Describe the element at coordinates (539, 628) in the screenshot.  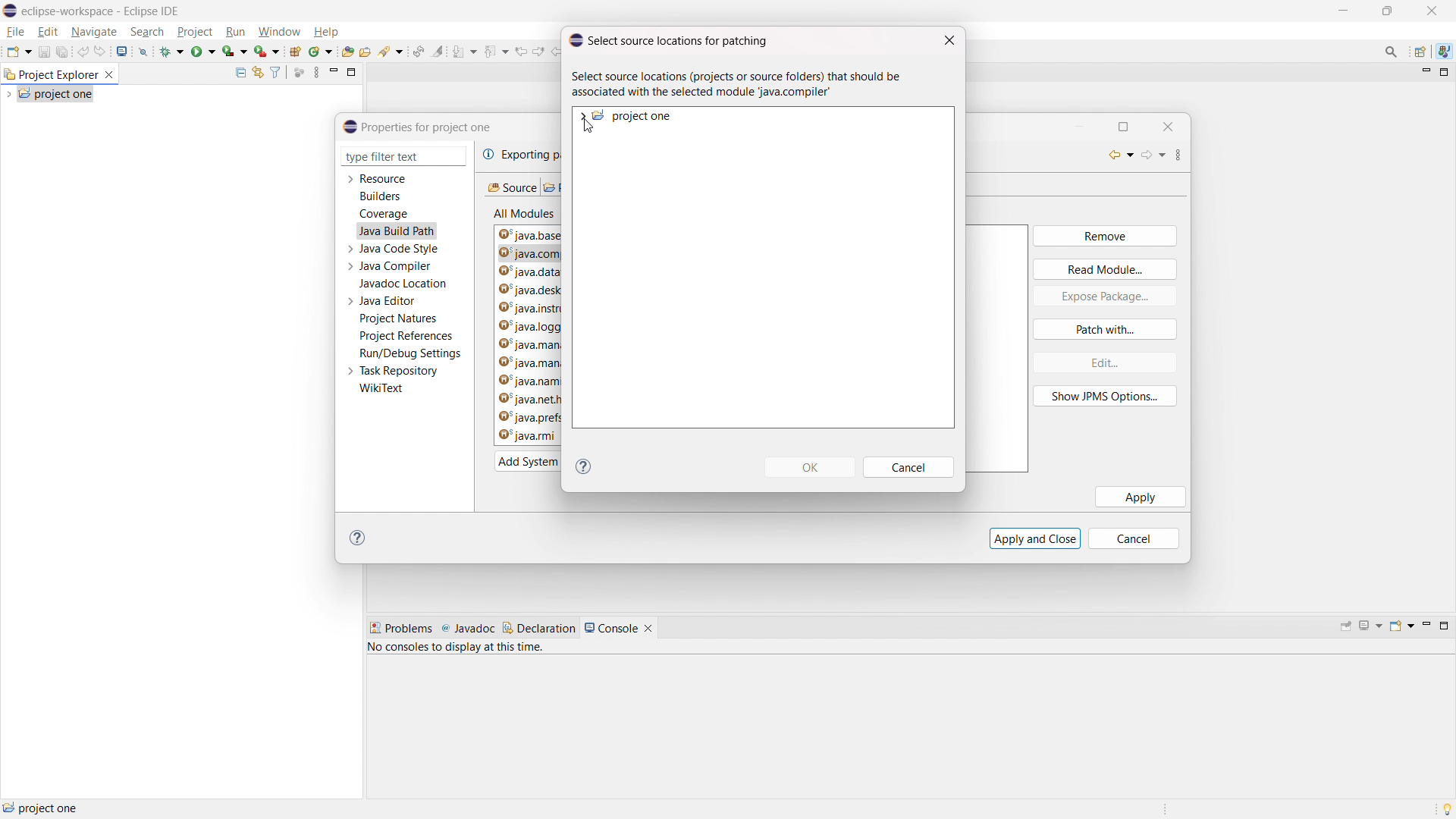
I see `declaration` at that location.